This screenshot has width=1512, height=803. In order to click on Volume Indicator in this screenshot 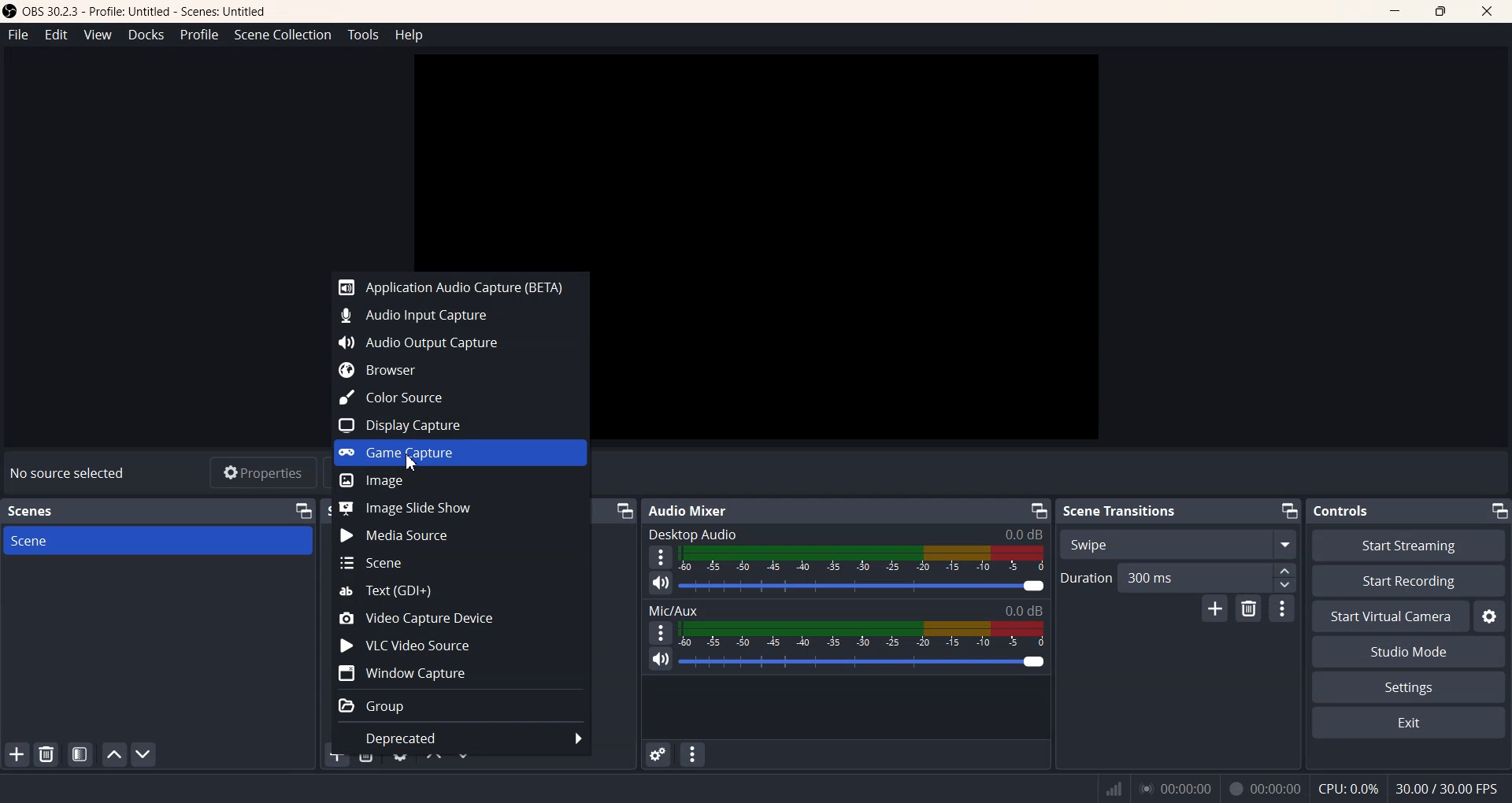, I will do `click(863, 559)`.